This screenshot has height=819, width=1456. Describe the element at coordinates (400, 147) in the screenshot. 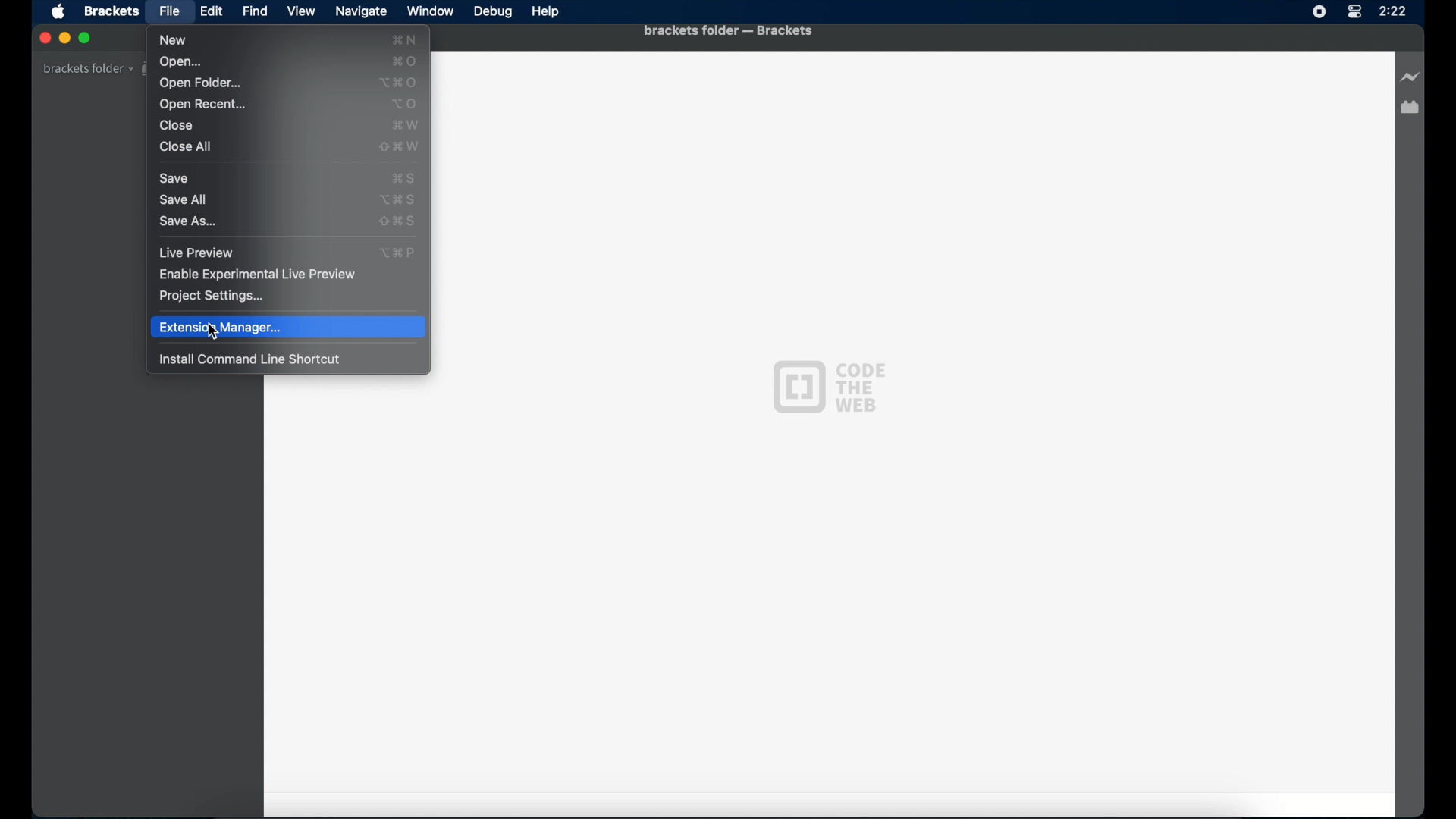

I see `close all shortcut` at that location.